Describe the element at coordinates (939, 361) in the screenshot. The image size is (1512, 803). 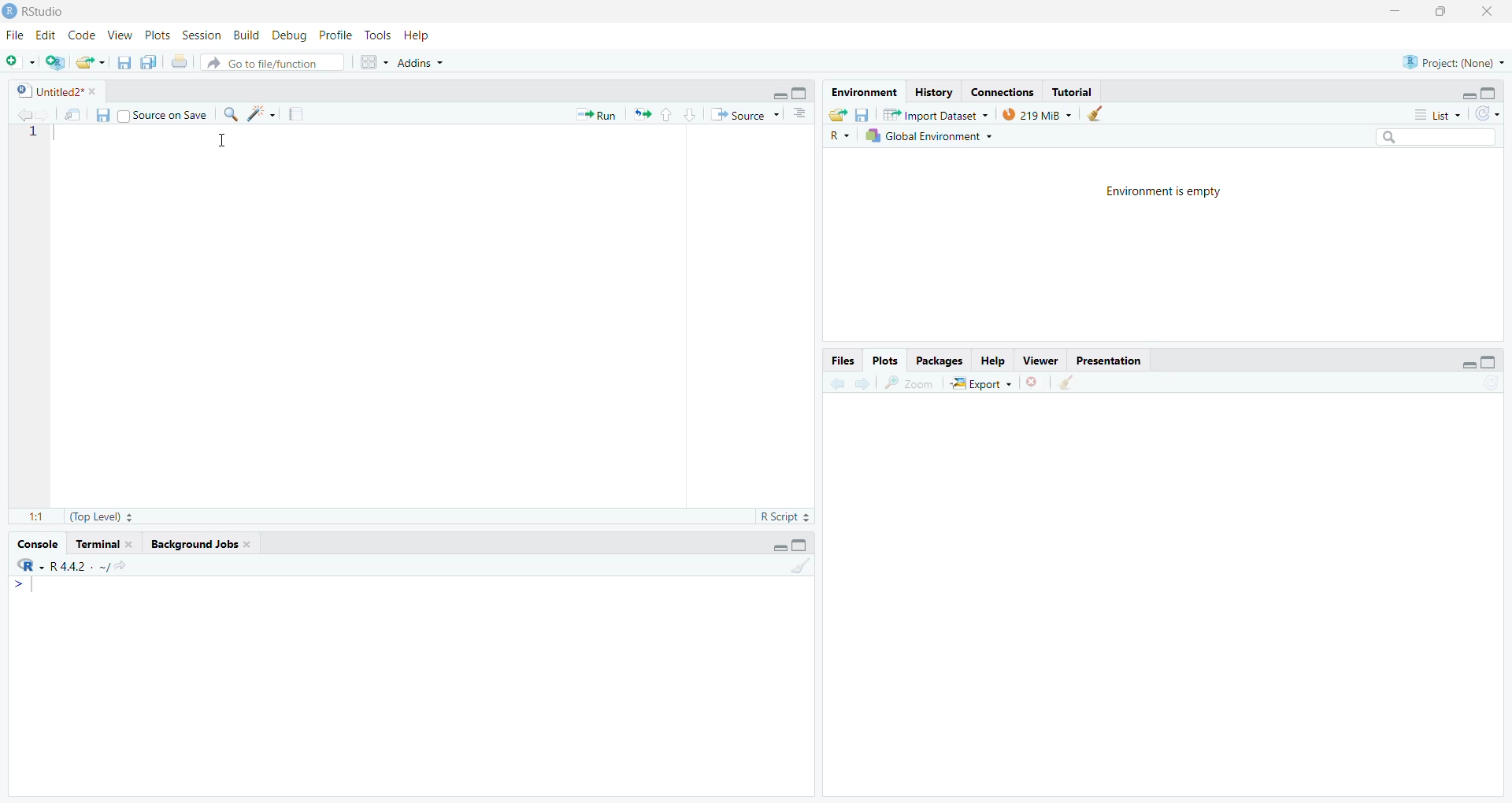
I see `Packages` at that location.